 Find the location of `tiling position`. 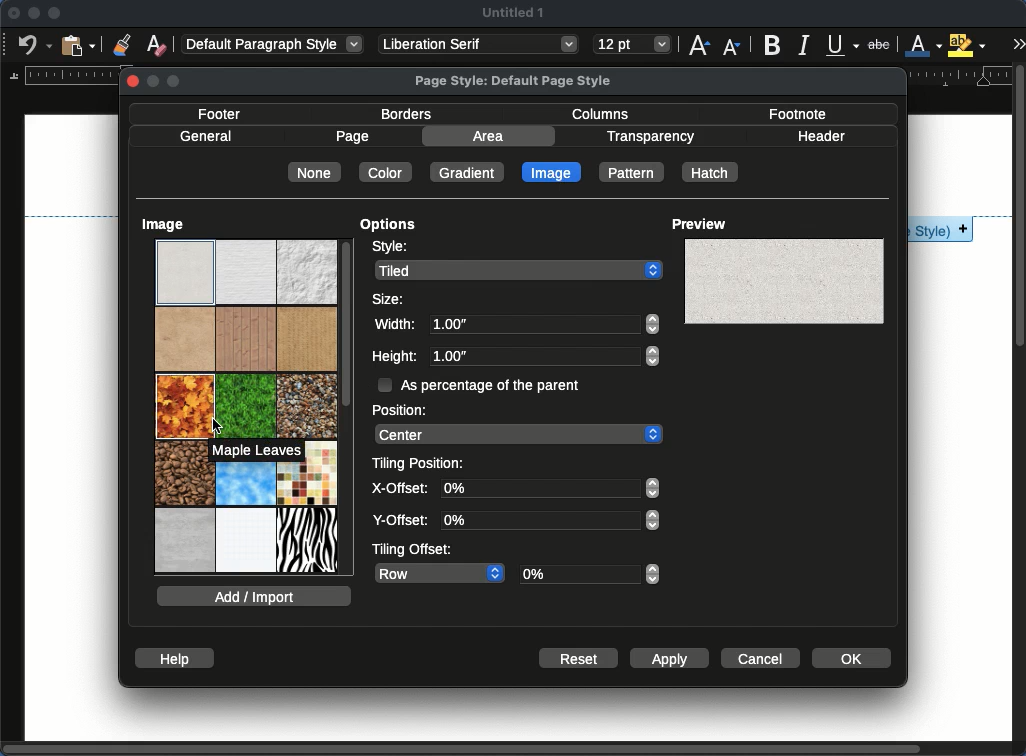

tiling position is located at coordinates (421, 465).